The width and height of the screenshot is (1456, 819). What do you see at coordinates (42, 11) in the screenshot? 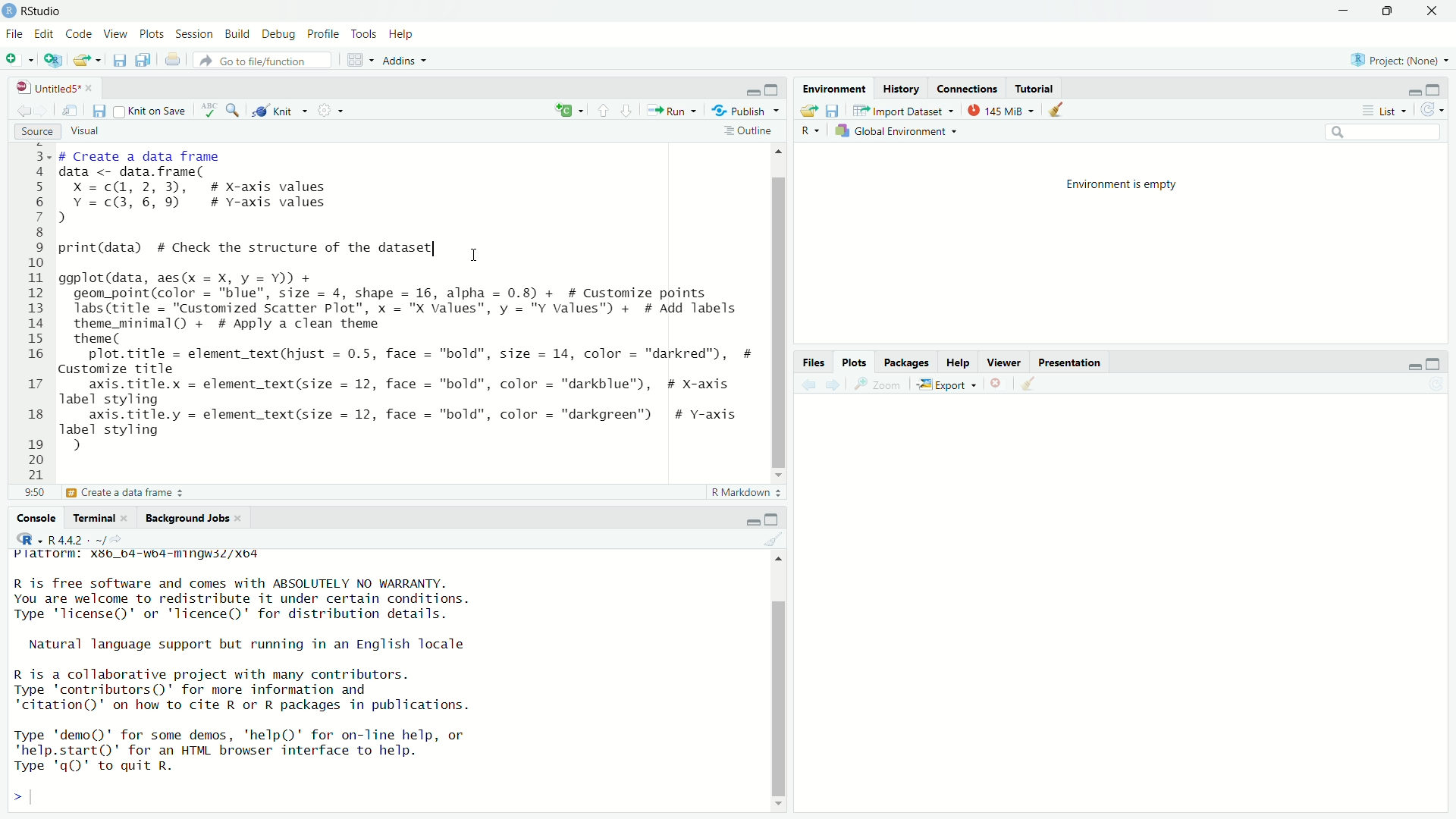
I see `R studio` at bounding box center [42, 11].